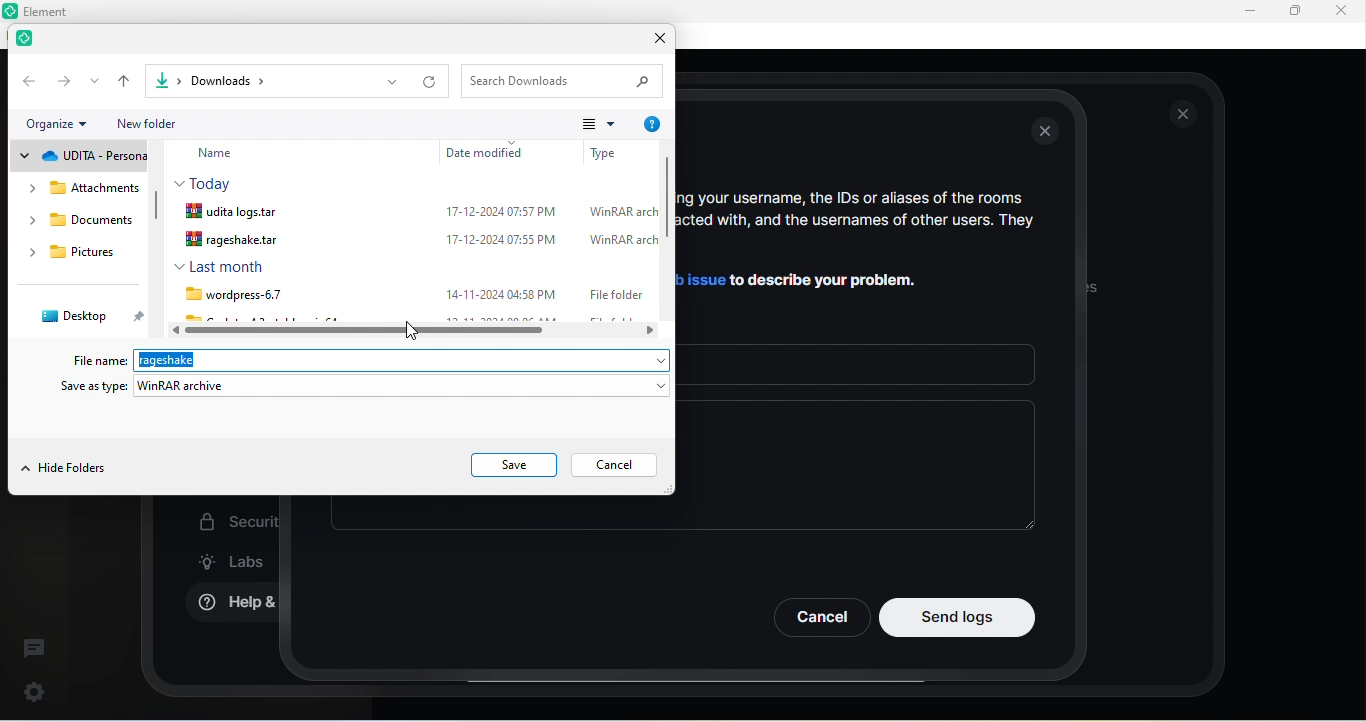  Describe the element at coordinates (623, 241) in the screenshot. I see `WinRAR arch` at that location.